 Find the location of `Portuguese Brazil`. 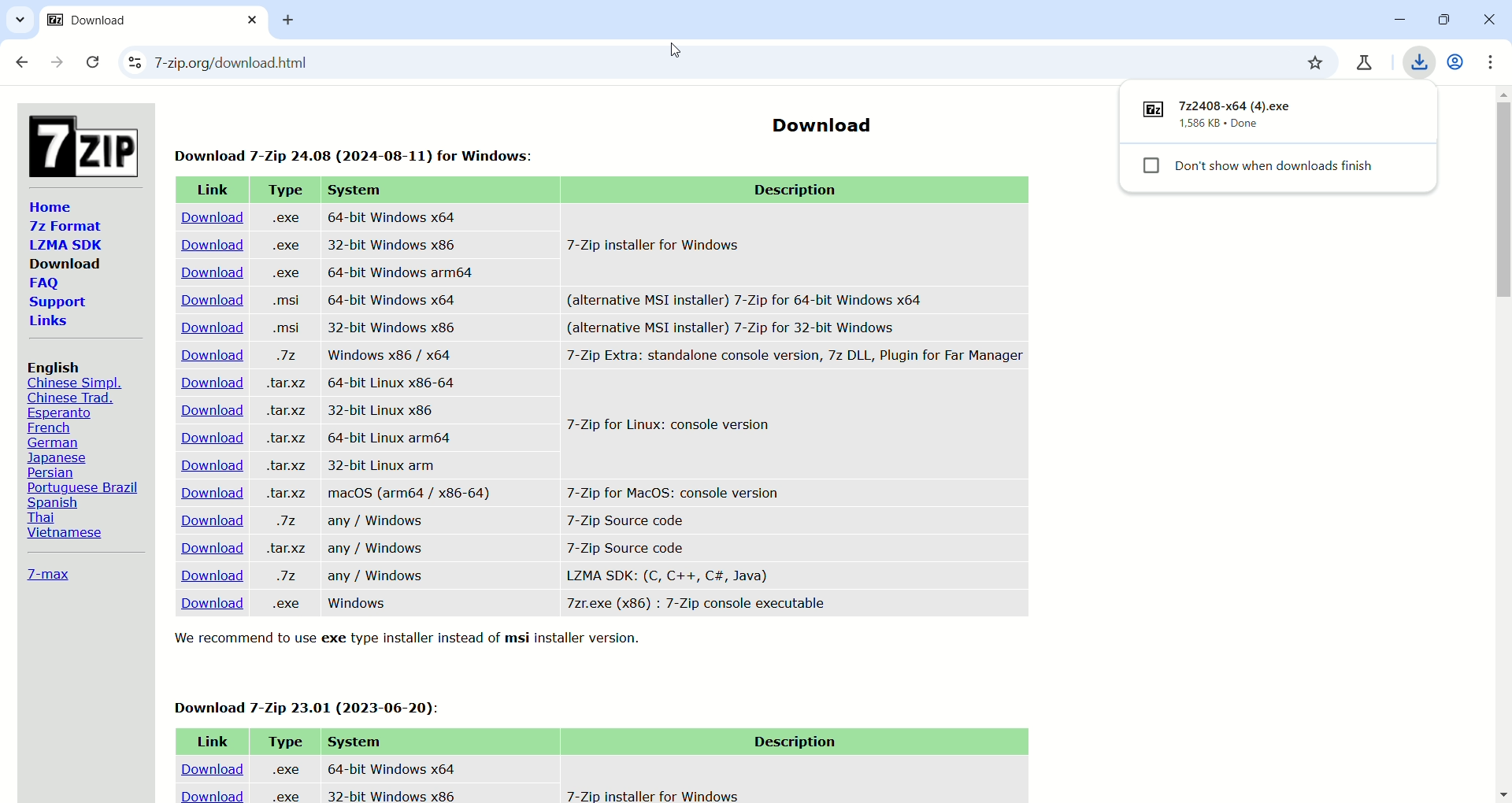

Portuguese Brazil is located at coordinates (85, 487).